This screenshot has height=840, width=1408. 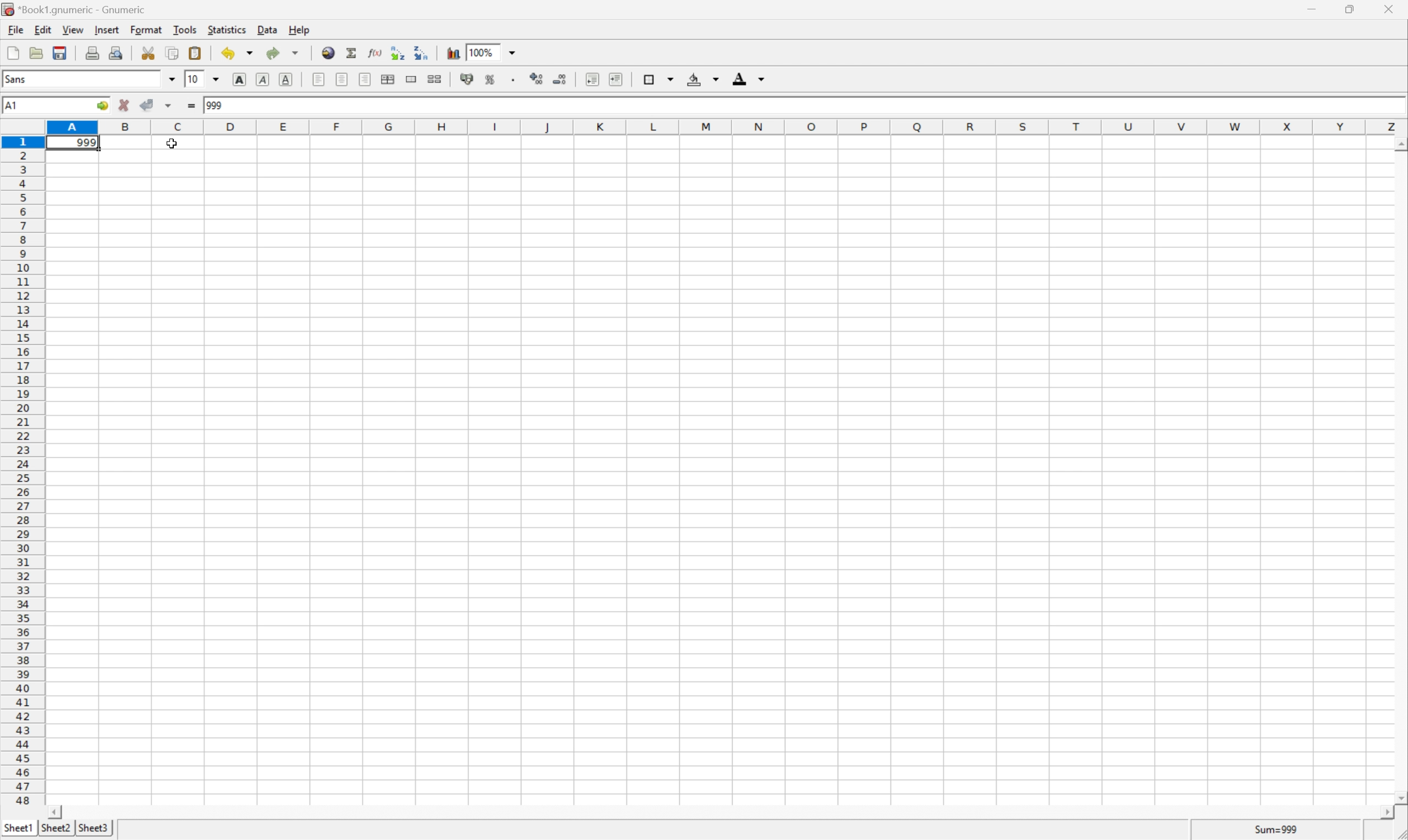 I want to click on save current workbook, so click(x=60, y=52).